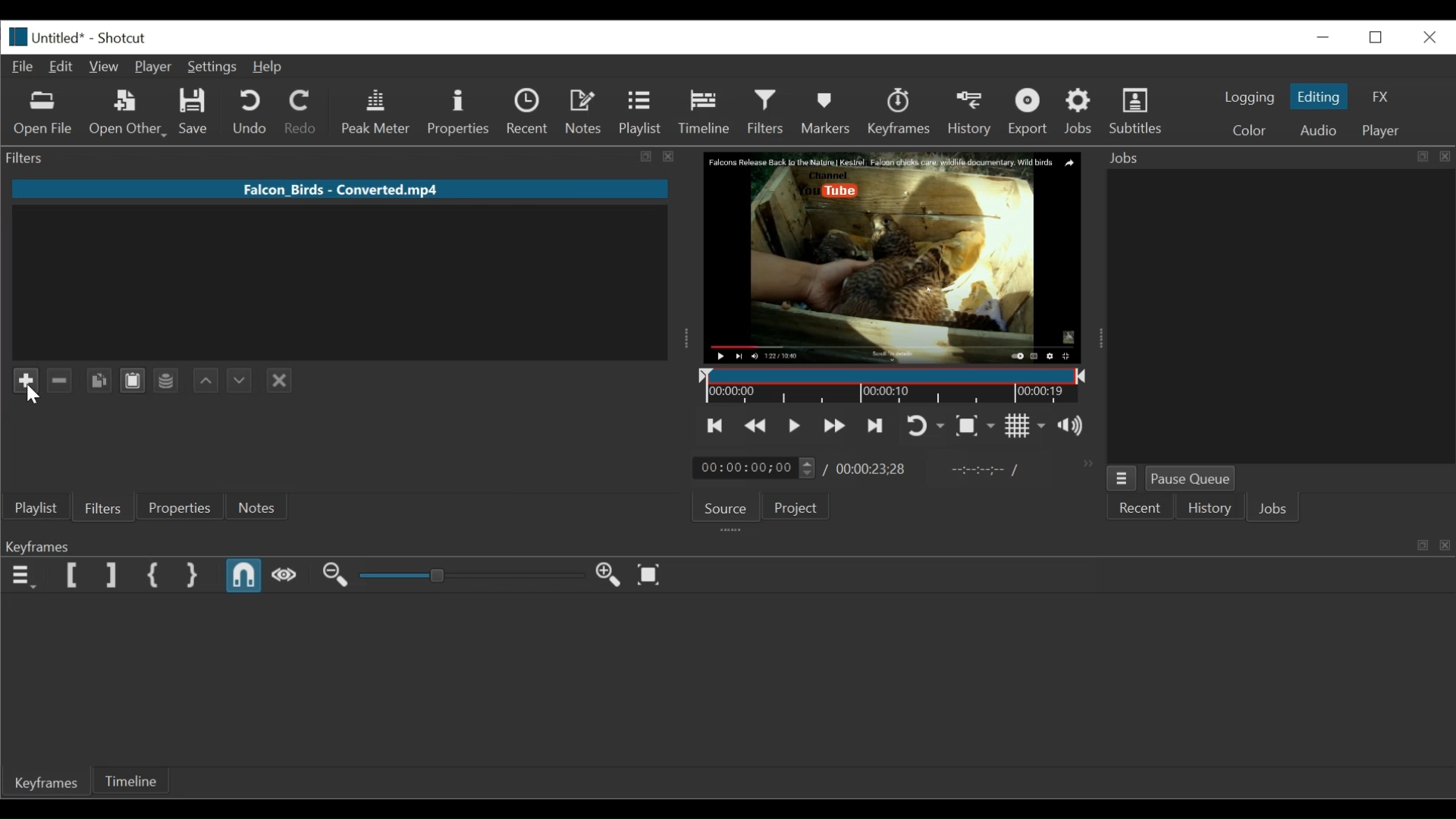  What do you see at coordinates (529, 112) in the screenshot?
I see `Recent` at bounding box center [529, 112].